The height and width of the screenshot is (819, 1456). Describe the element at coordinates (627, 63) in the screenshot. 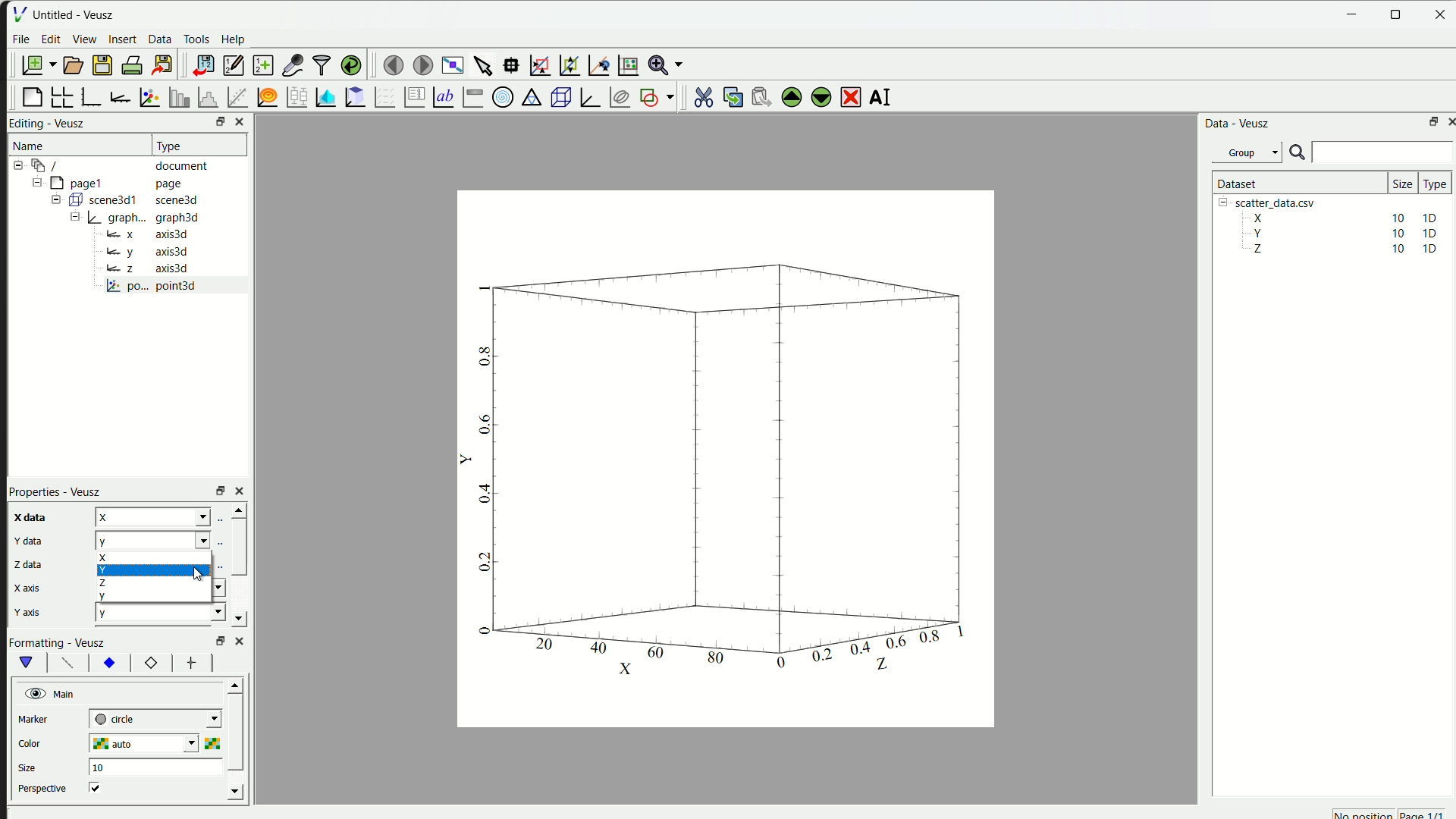

I see `Reset graph axes` at that location.